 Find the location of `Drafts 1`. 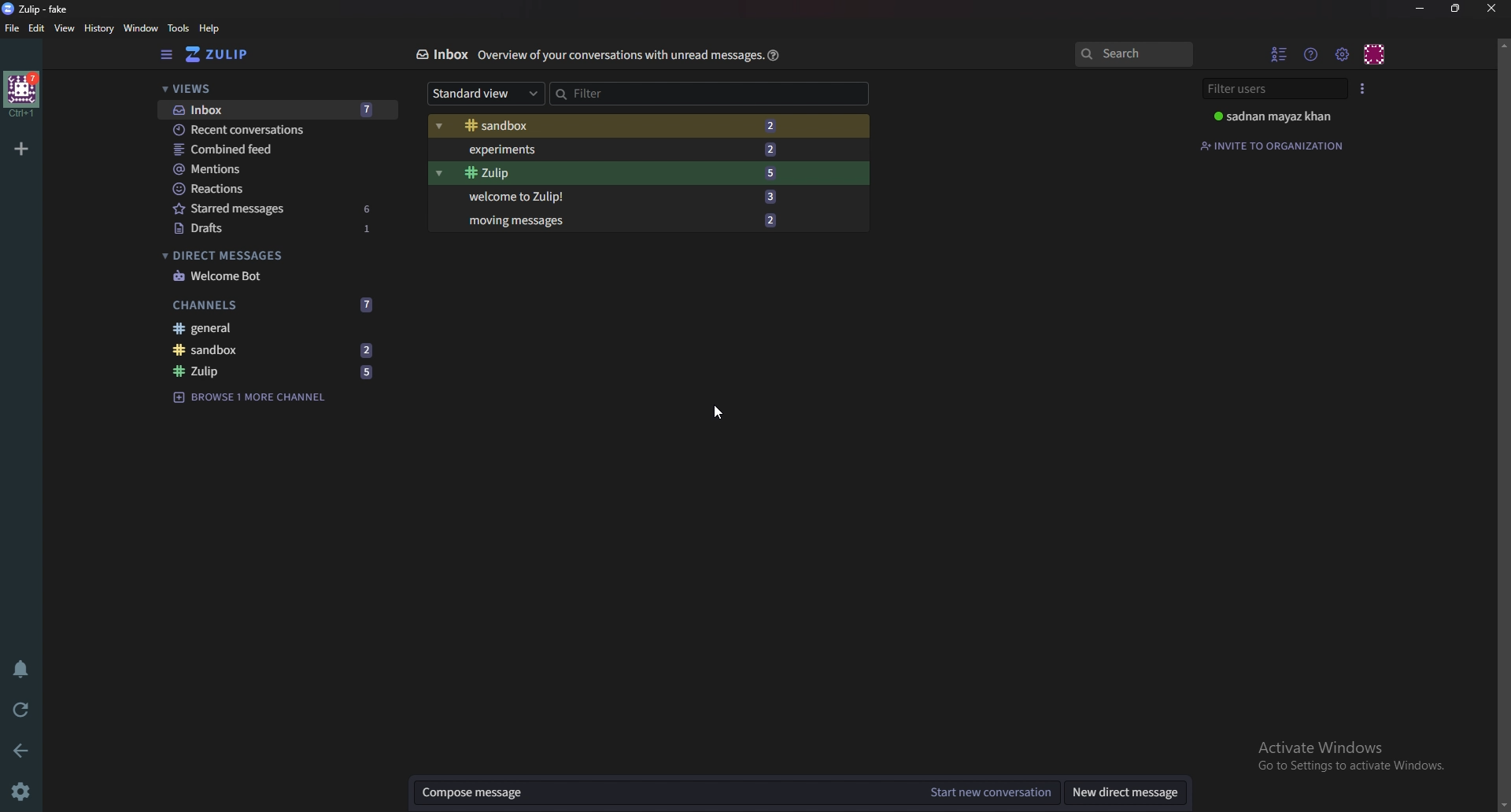

Drafts 1 is located at coordinates (273, 229).